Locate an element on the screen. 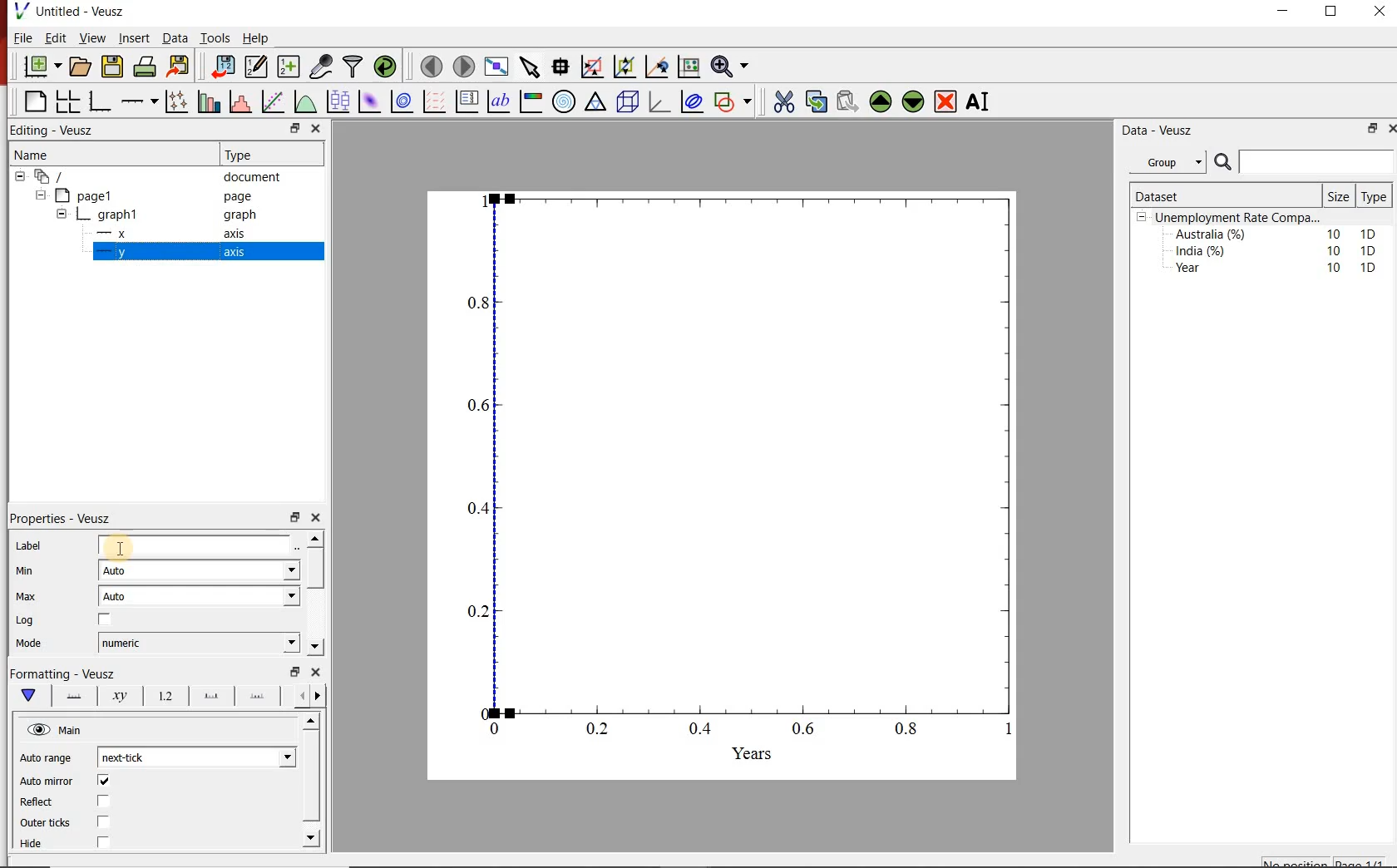 The height and width of the screenshot is (868, 1397). ‘document is located at coordinates (155, 175).